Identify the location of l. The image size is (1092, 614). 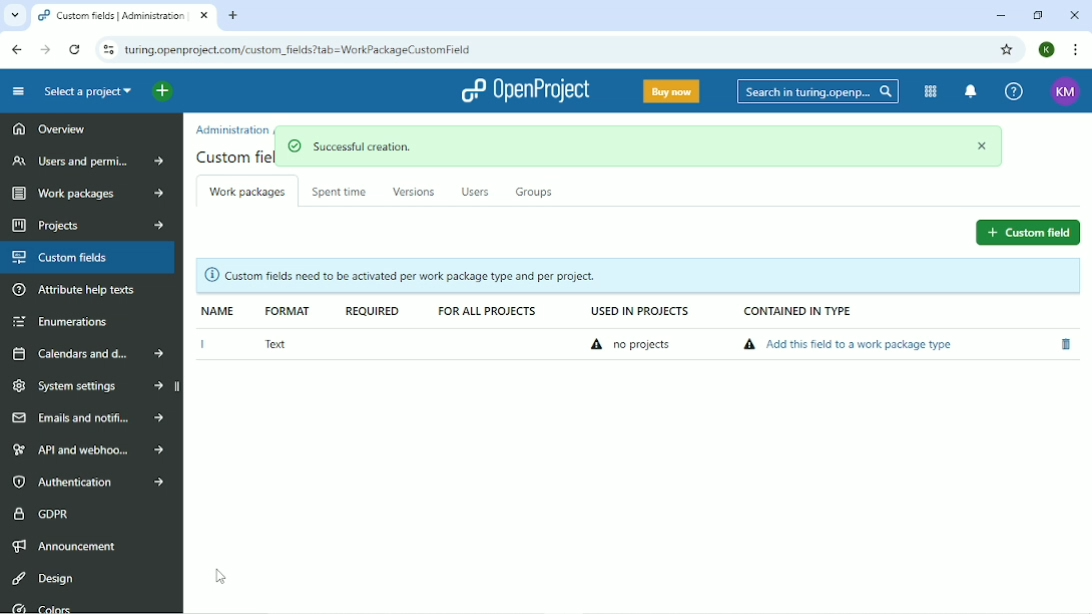
(199, 345).